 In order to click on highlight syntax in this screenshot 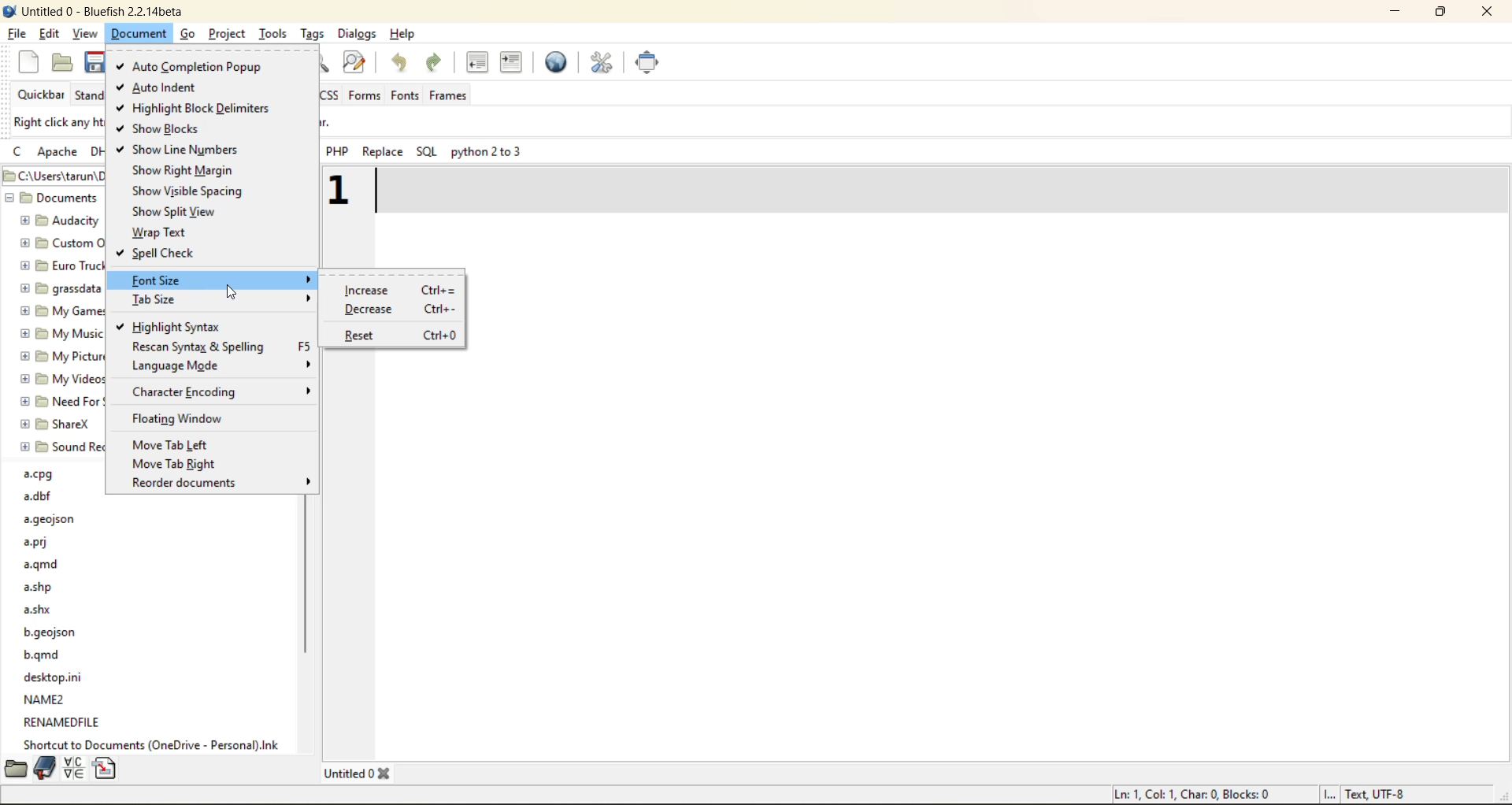, I will do `click(177, 325)`.